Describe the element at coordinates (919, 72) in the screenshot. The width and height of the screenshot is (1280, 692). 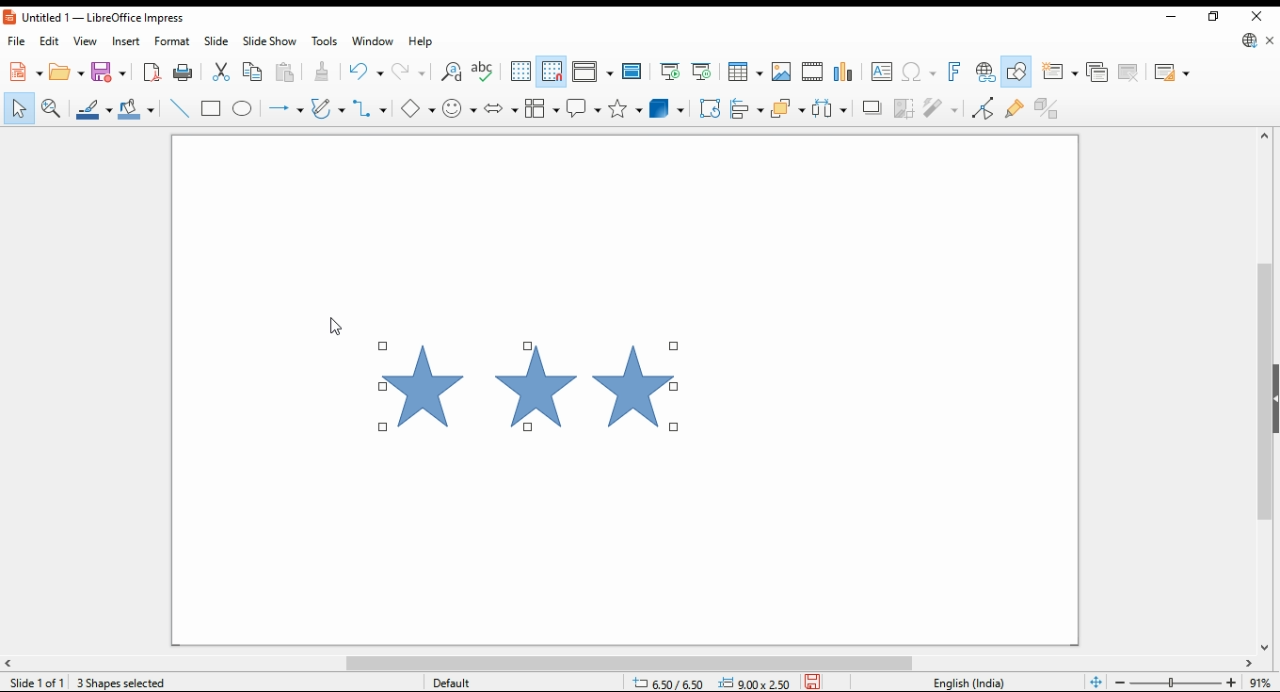
I see `insert special characters` at that location.